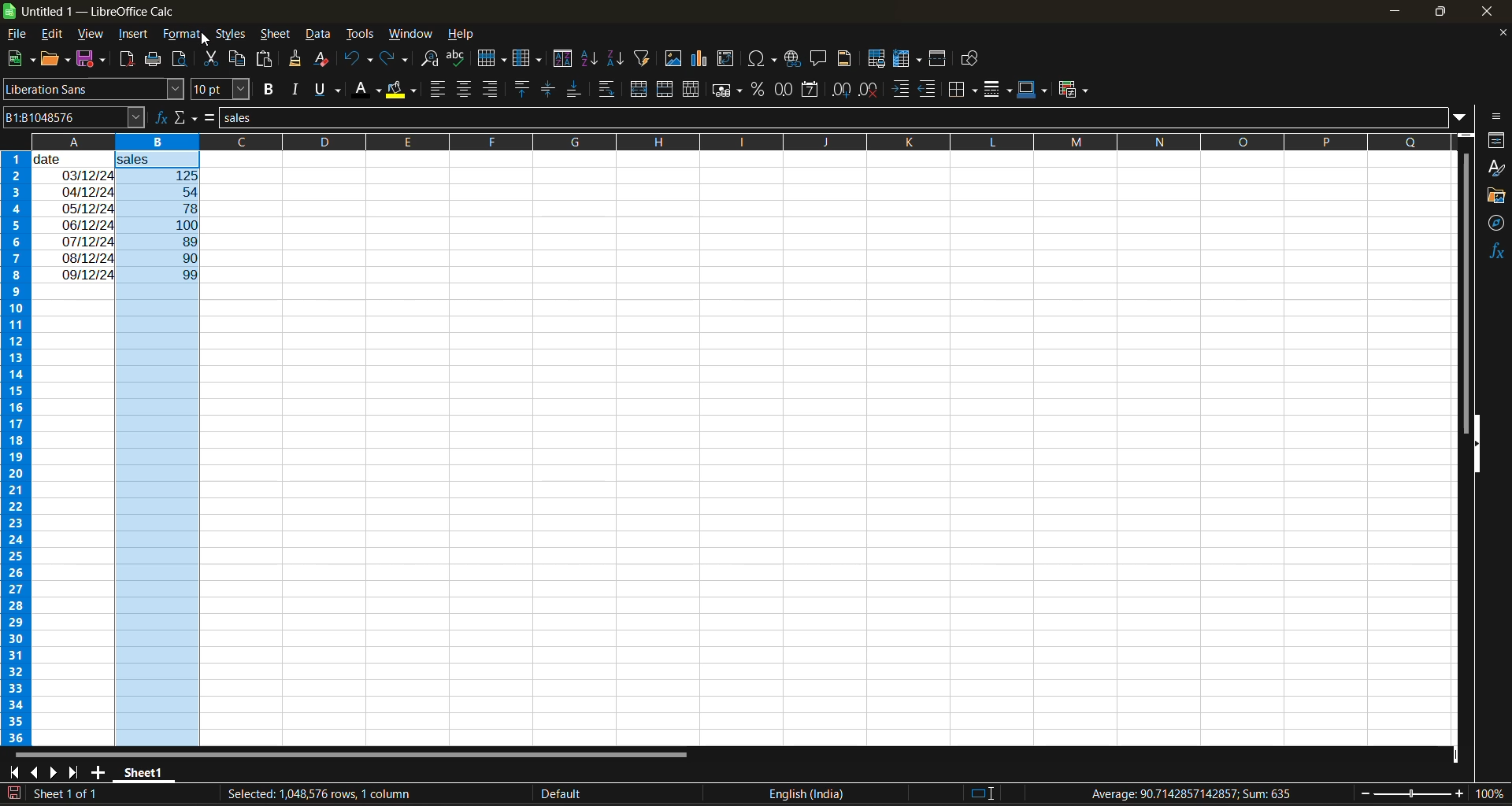 Image resolution: width=1512 pixels, height=806 pixels. What do you see at coordinates (1466, 119) in the screenshot?
I see `expand formula bar` at bounding box center [1466, 119].